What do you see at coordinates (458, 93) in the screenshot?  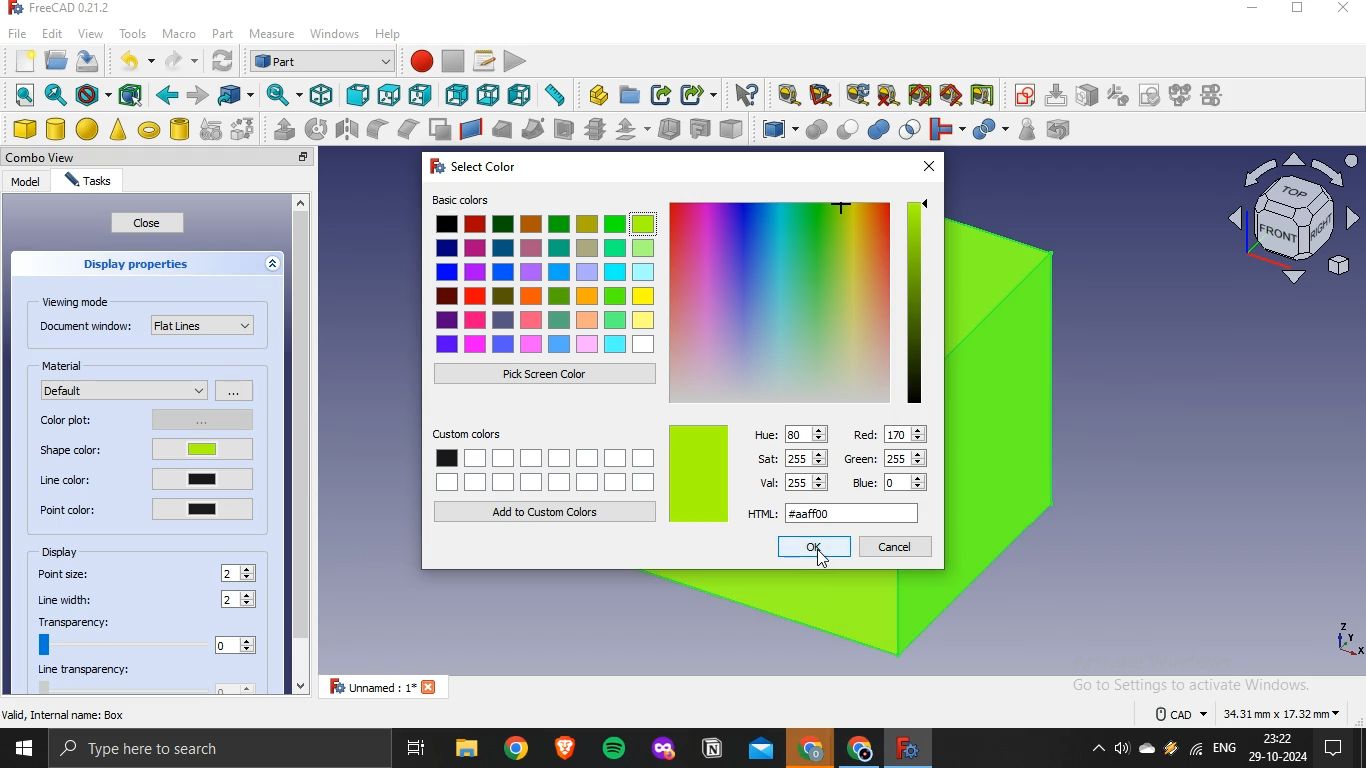 I see `rear` at bounding box center [458, 93].